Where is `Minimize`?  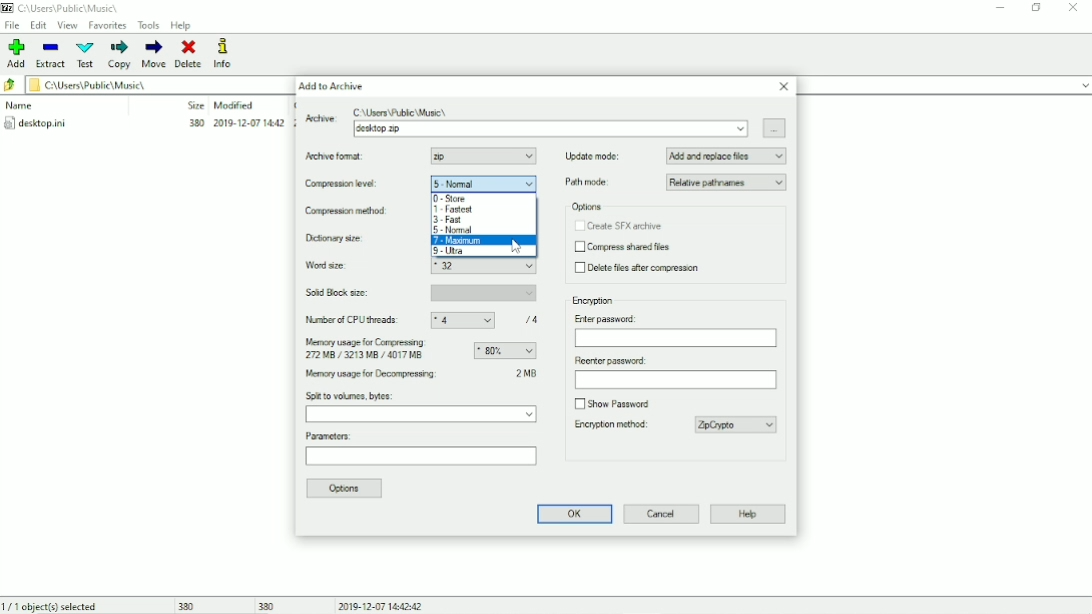
Minimize is located at coordinates (1001, 8).